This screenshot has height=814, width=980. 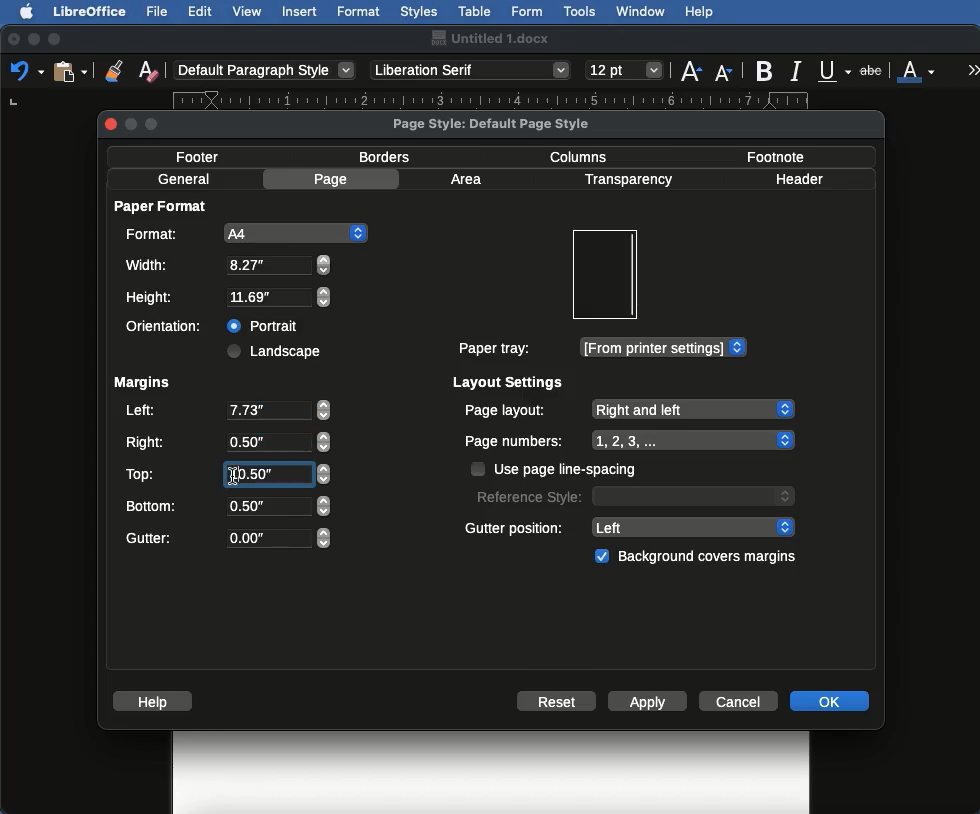 What do you see at coordinates (974, 69) in the screenshot?
I see `More` at bounding box center [974, 69].